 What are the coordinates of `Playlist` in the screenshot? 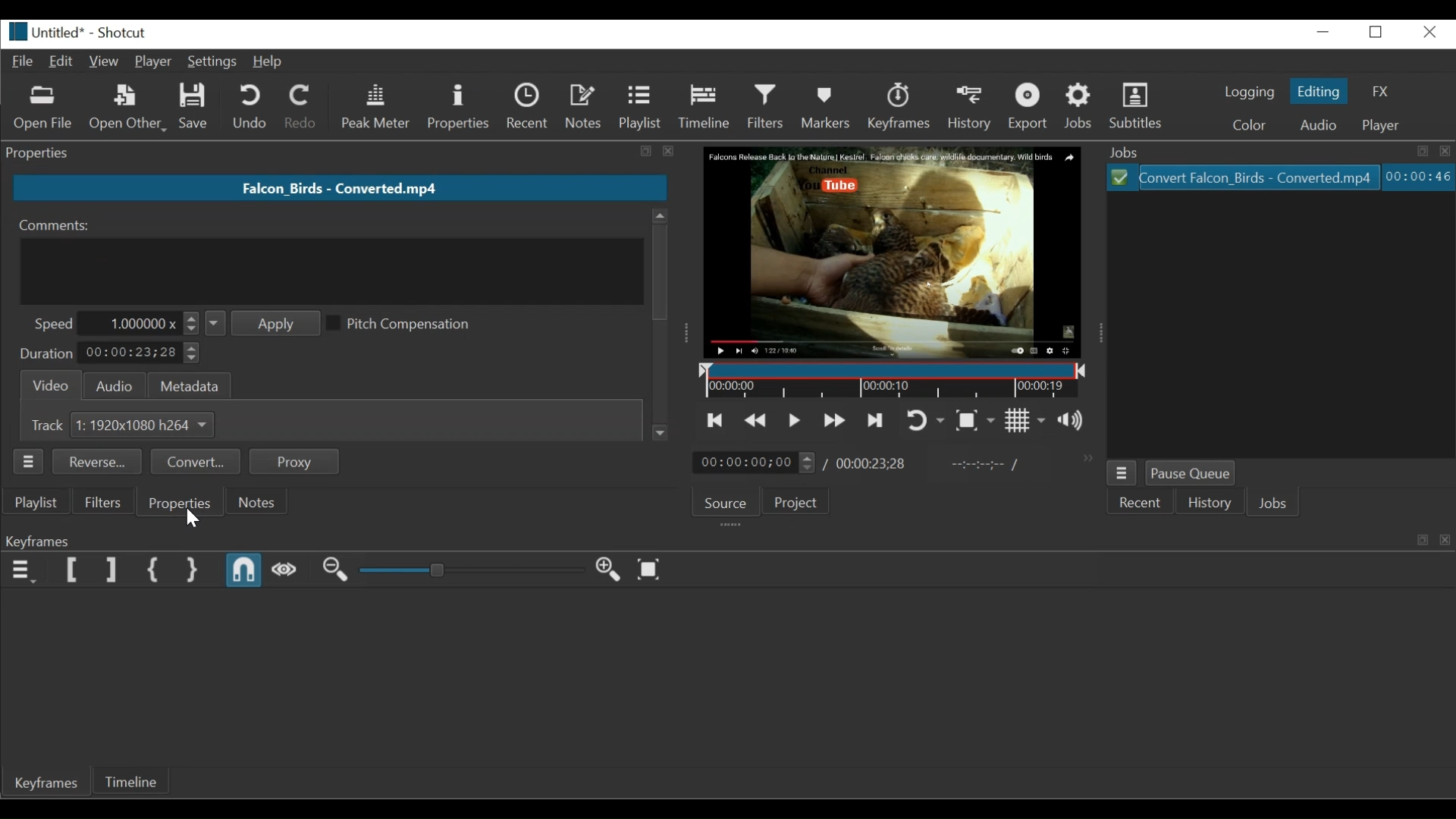 It's located at (642, 108).